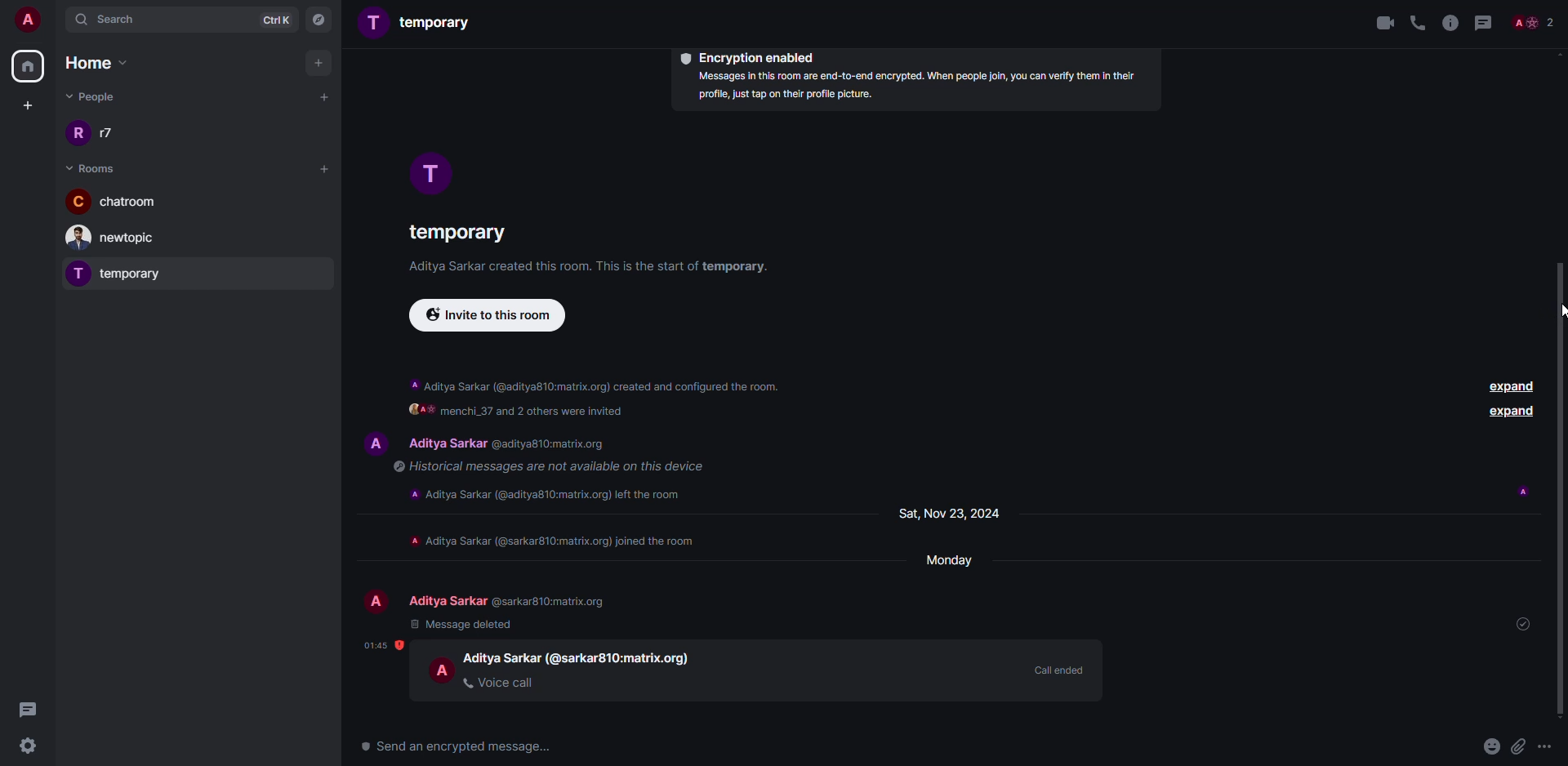 The height and width of the screenshot is (766, 1568). Describe the element at coordinates (935, 88) in the screenshot. I see `Messages in this room are end-to-end encrypted. When people join, you can verify them in their
profile, just tap on their profile picture.` at that location.